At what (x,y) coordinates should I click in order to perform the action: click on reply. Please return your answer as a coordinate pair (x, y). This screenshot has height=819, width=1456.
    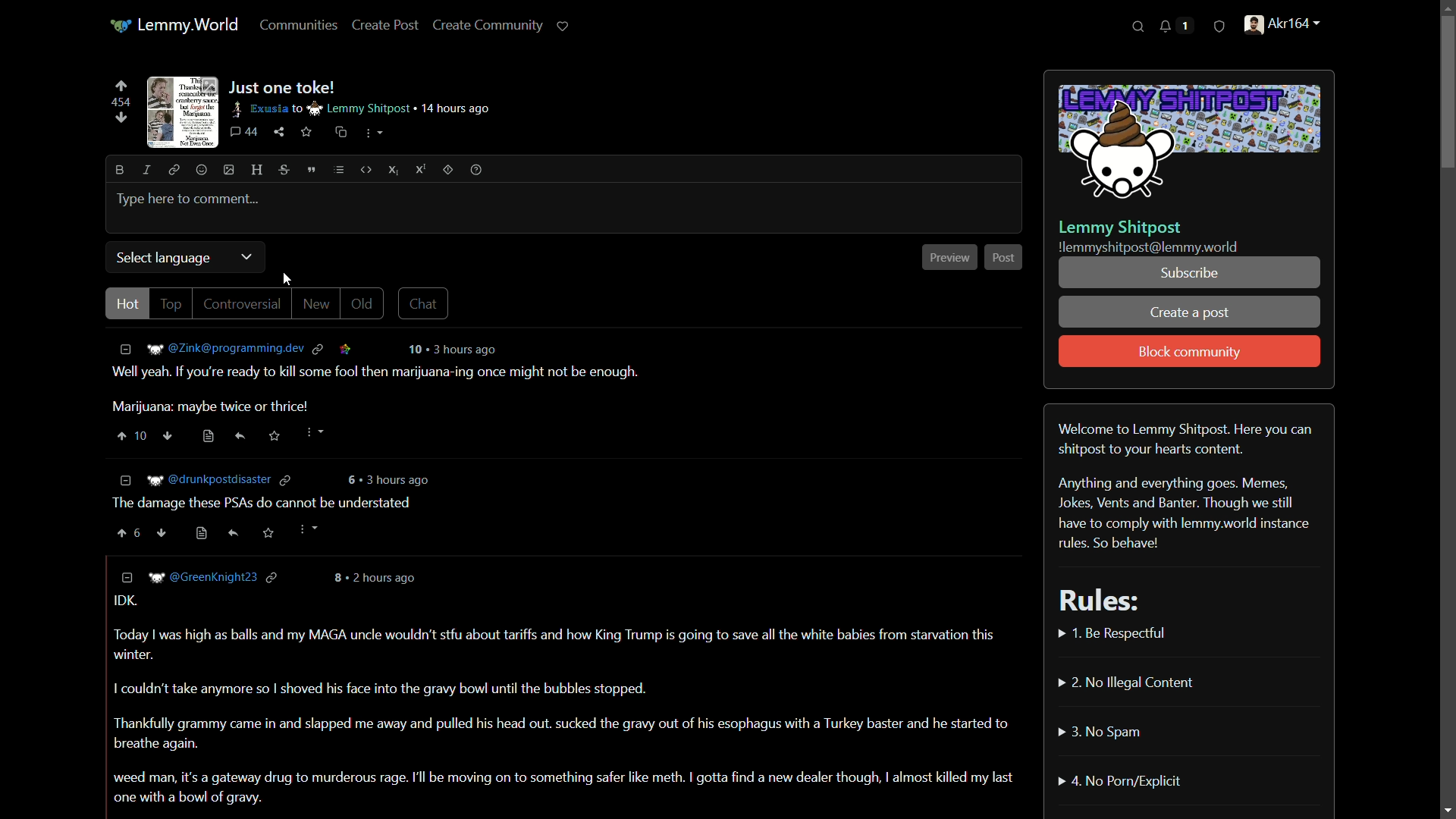
    Looking at the image, I should click on (243, 437).